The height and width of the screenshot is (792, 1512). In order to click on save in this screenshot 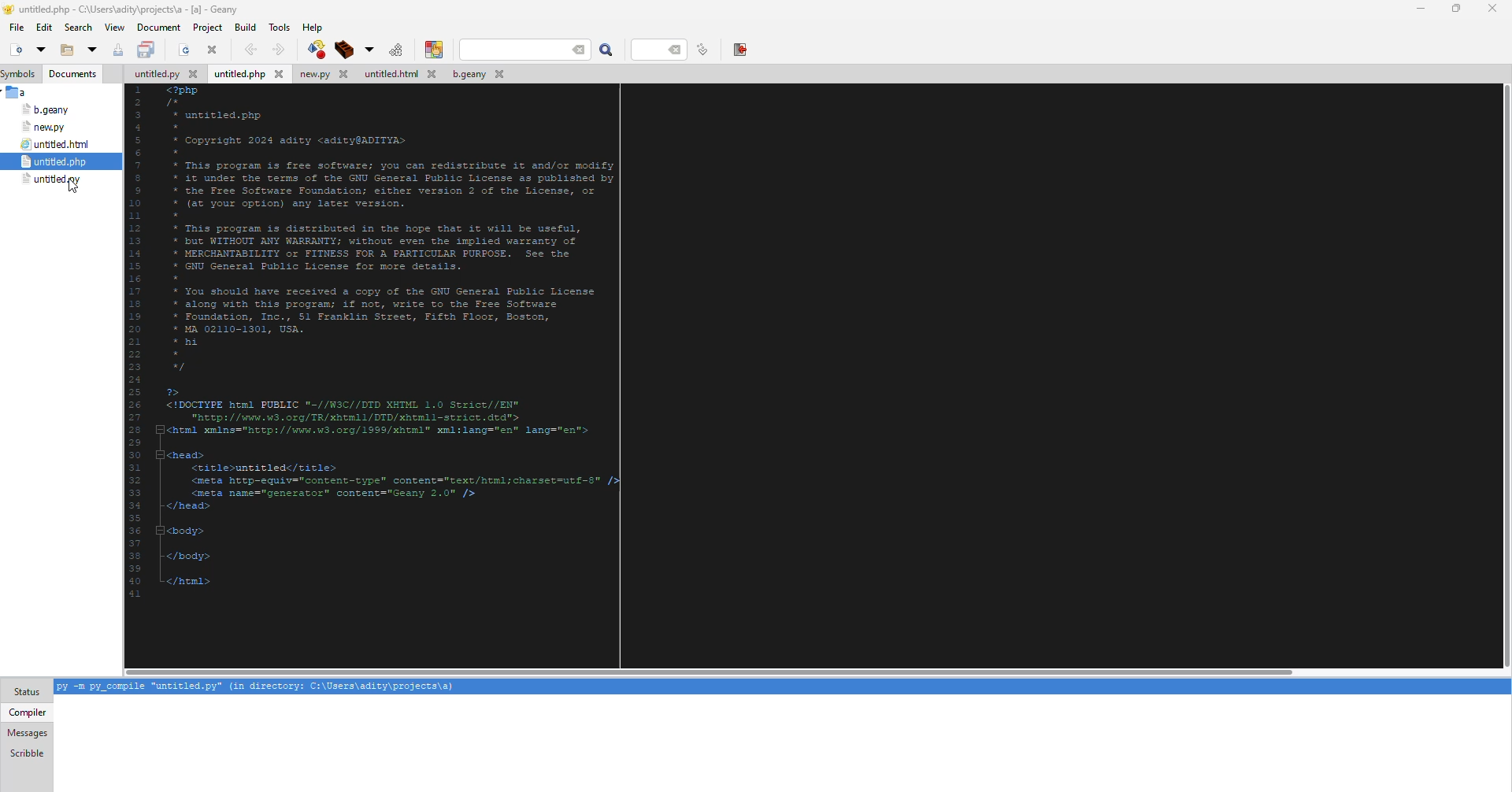, I will do `click(147, 50)`.